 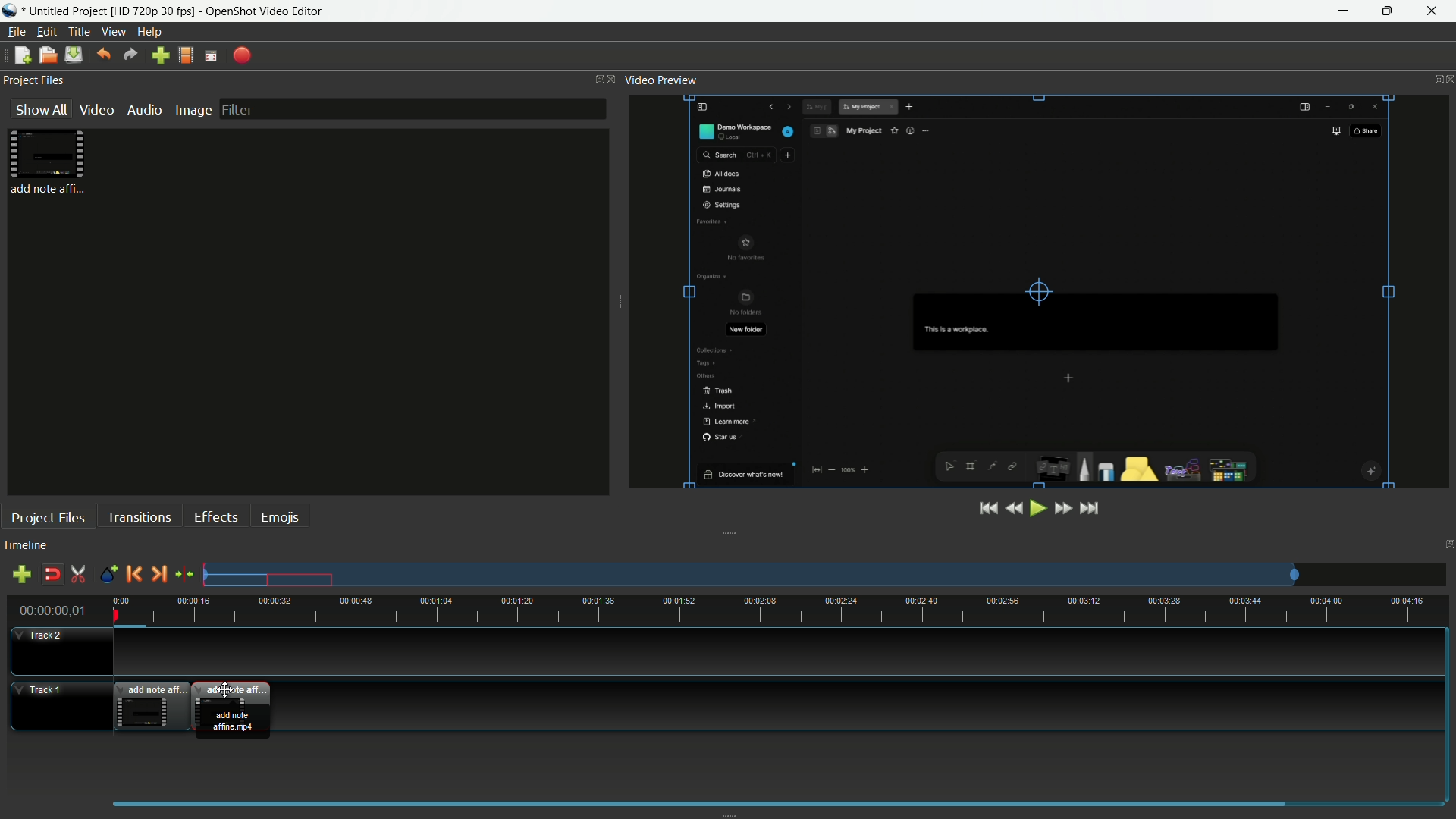 What do you see at coordinates (1434, 11) in the screenshot?
I see `close app` at bounding box center [1434, 11].